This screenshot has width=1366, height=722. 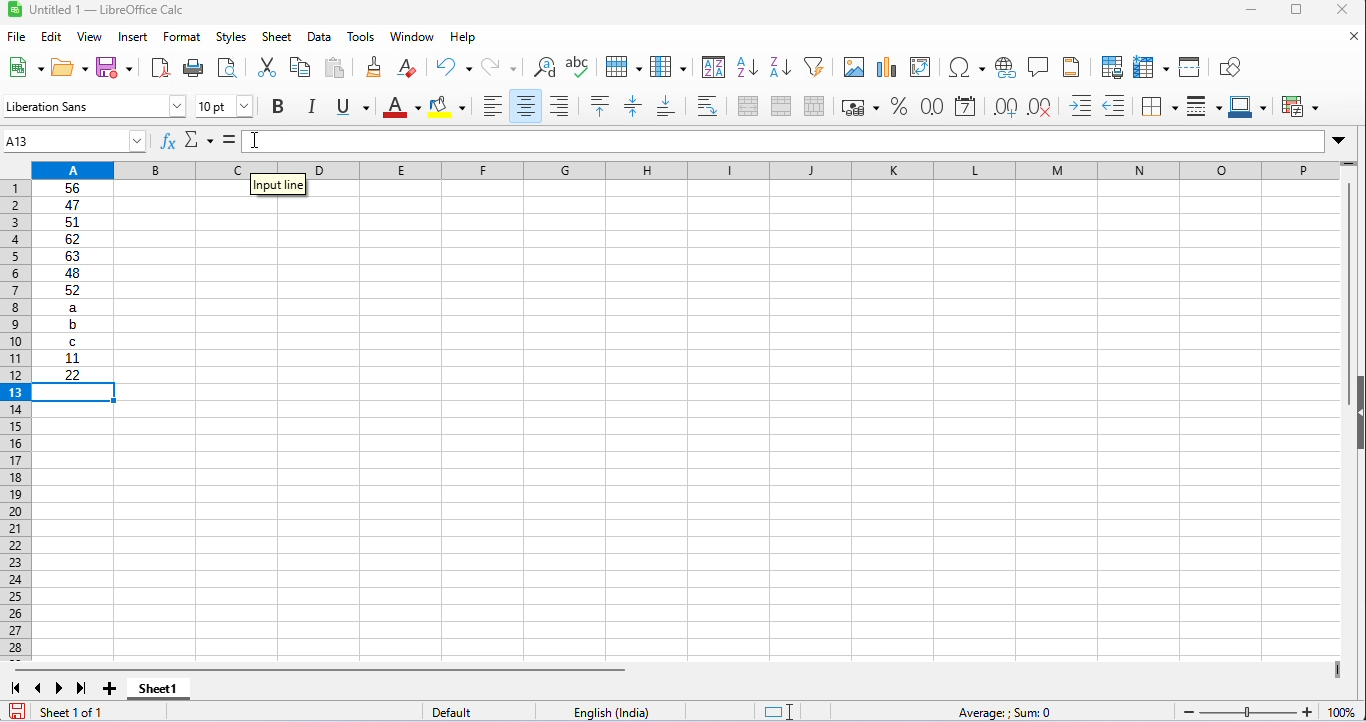 What do you see at coordinates (266, 68) in the screenshot?
I see `cut` at bounding box center [266, 68].